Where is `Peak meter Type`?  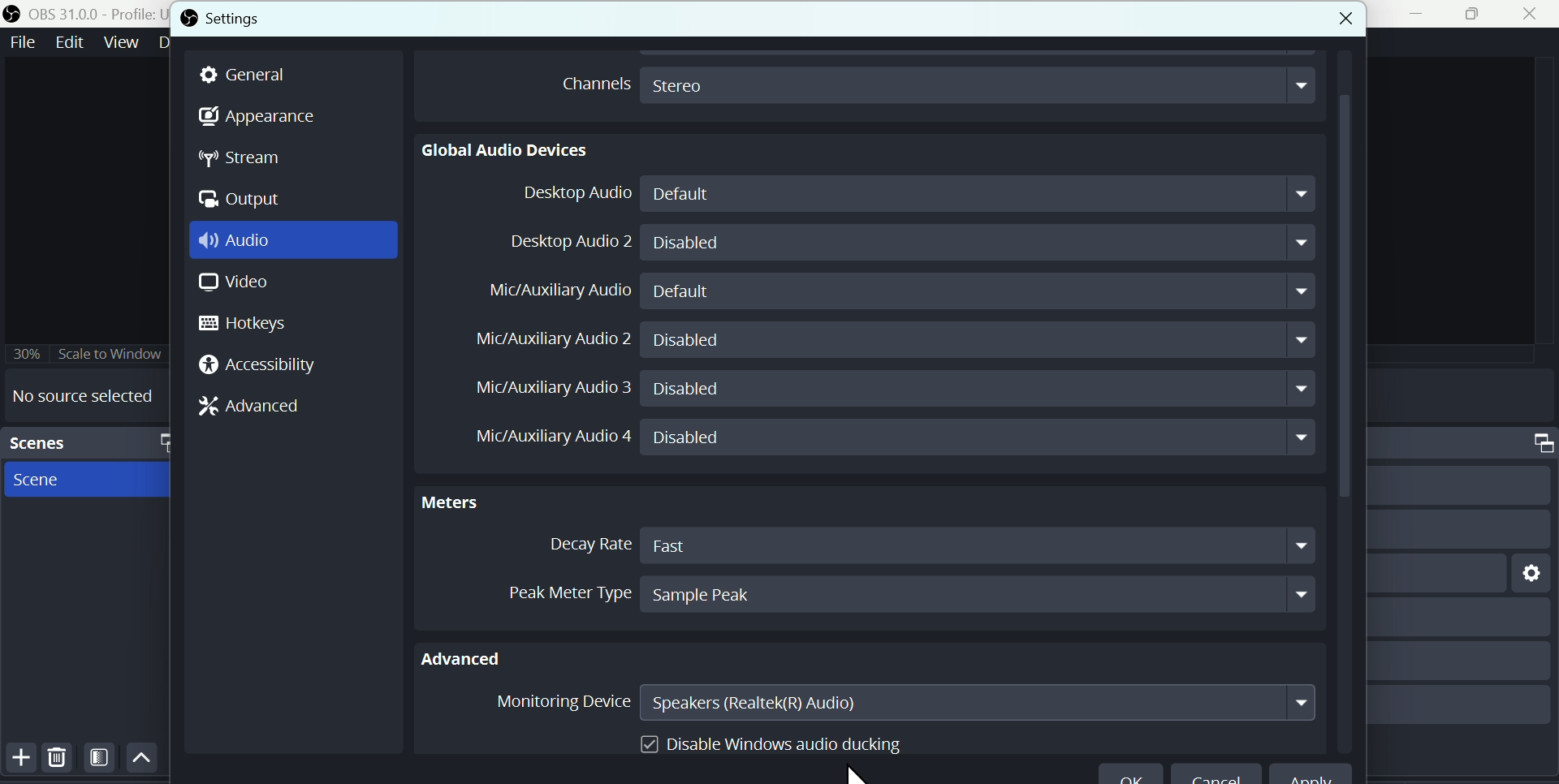
Peak meter Type is located at coordinates (551, 590).